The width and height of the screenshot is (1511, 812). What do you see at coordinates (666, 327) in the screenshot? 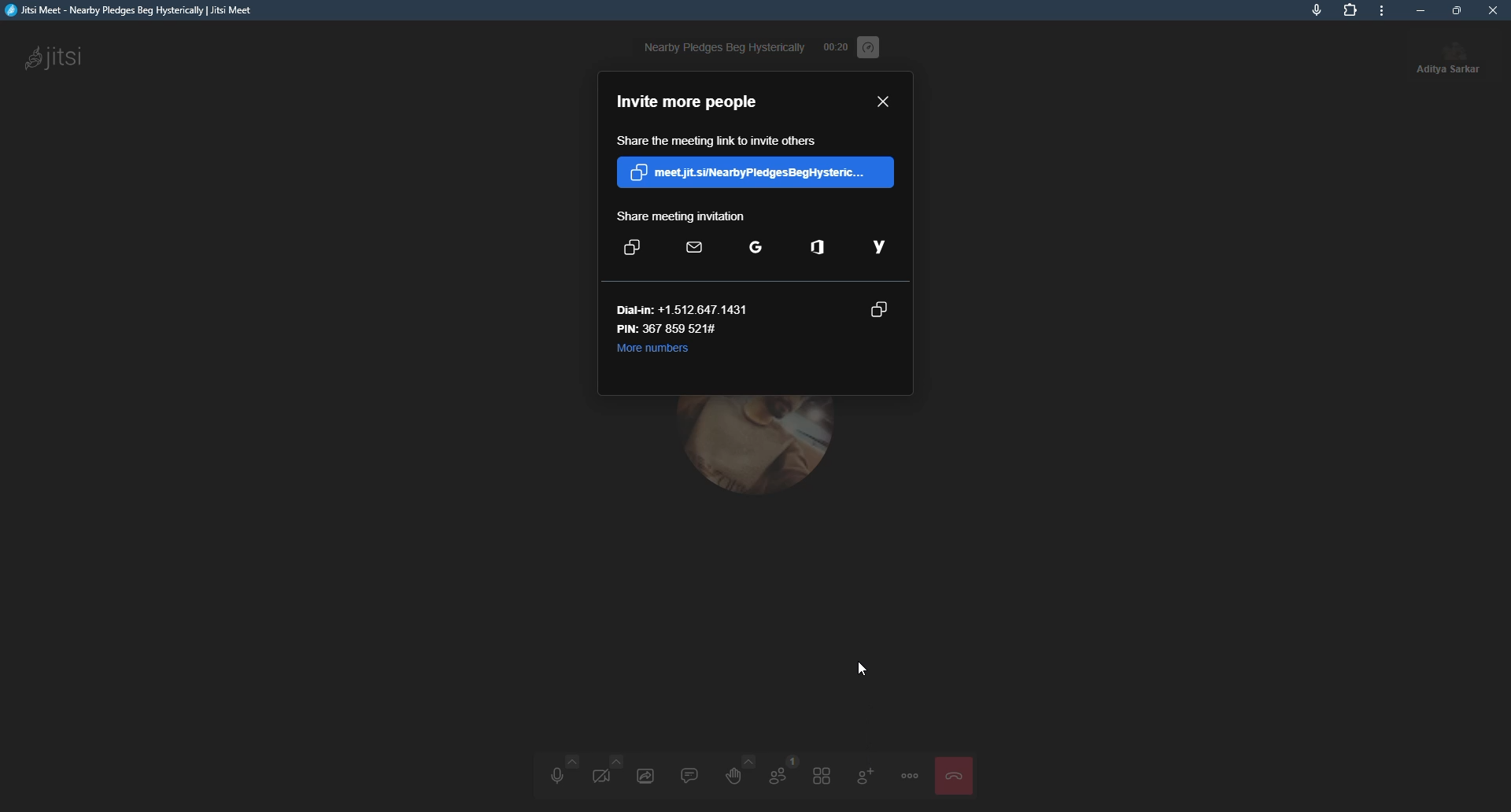
I see `pin number` at bounding box center [666, 327].